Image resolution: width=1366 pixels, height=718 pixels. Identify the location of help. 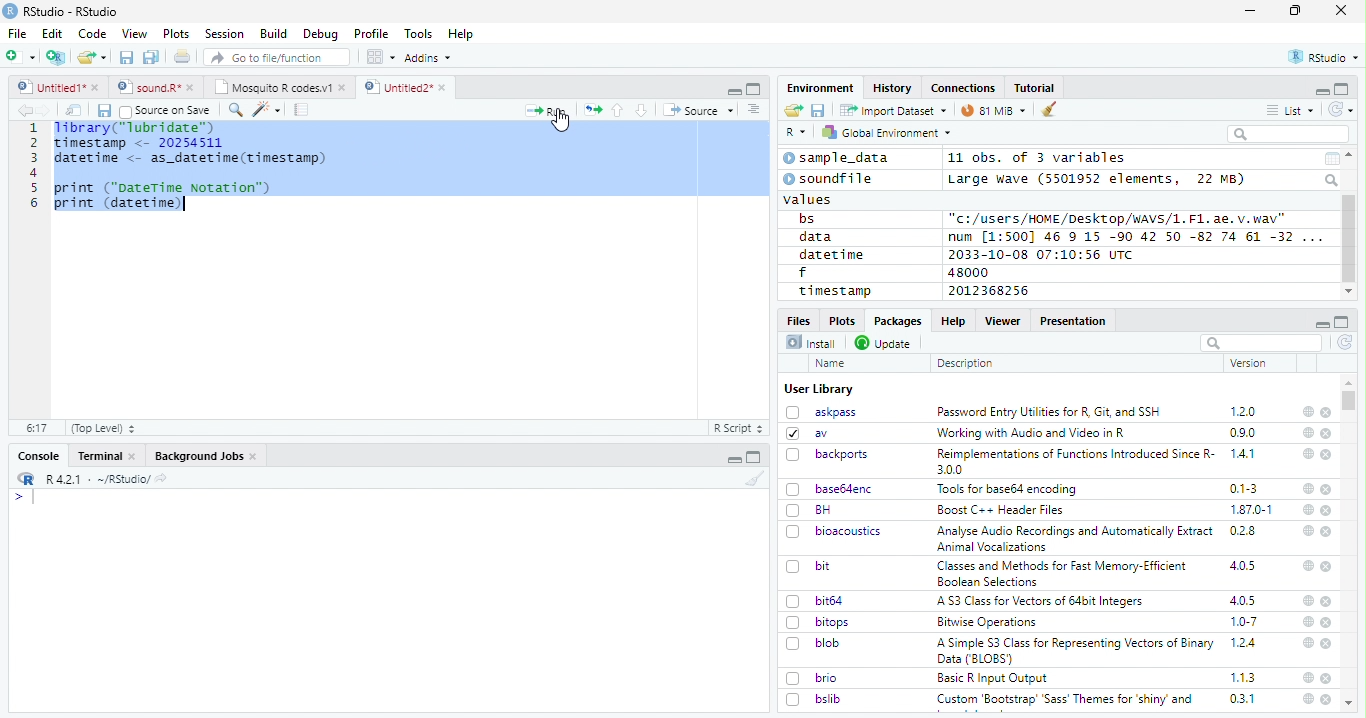
(1307, 453).